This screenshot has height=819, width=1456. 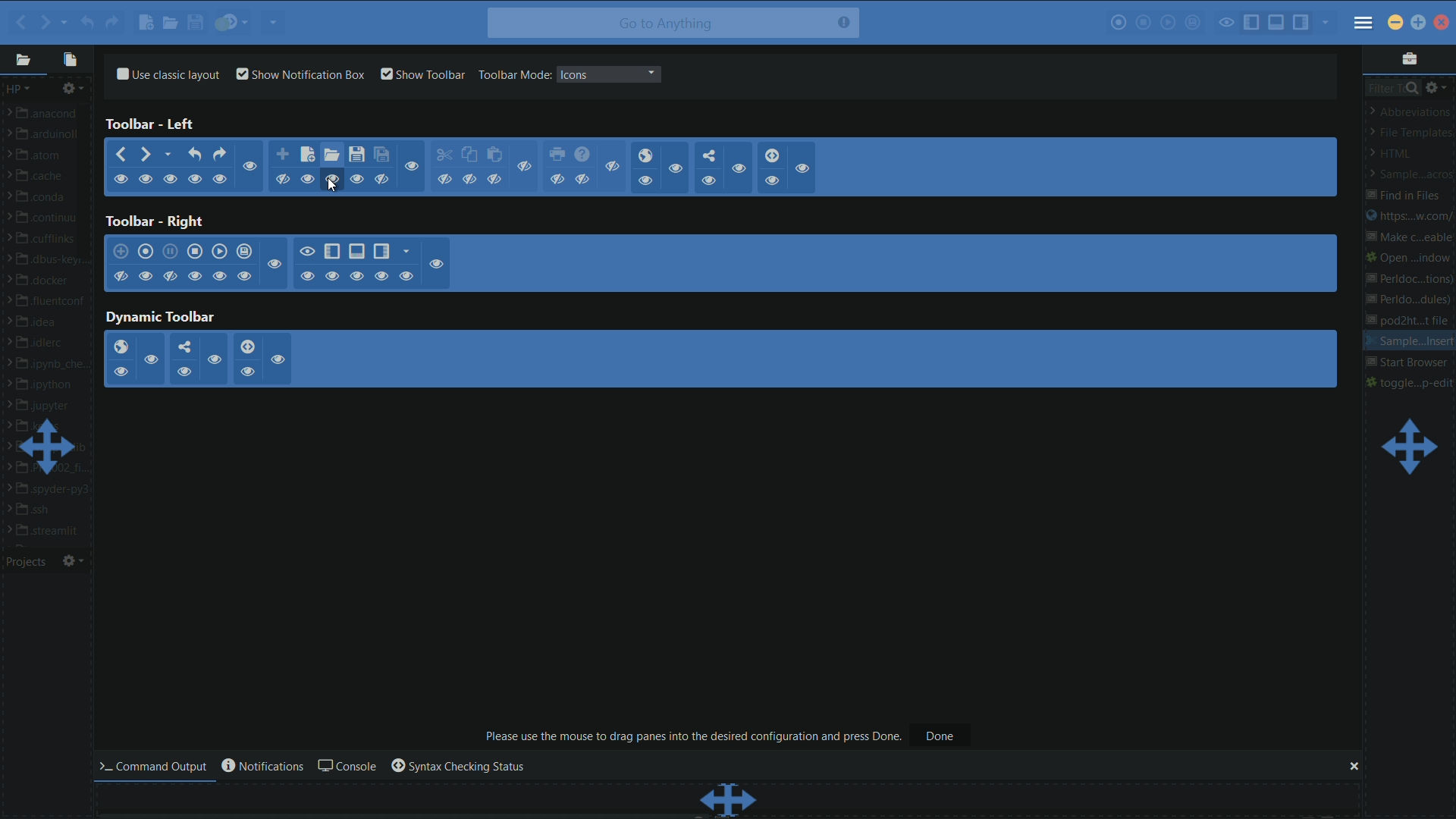 What do you see at coordinates (381, 155) in the screenshot?
I see `save all files` at bounding box center [381, 155].